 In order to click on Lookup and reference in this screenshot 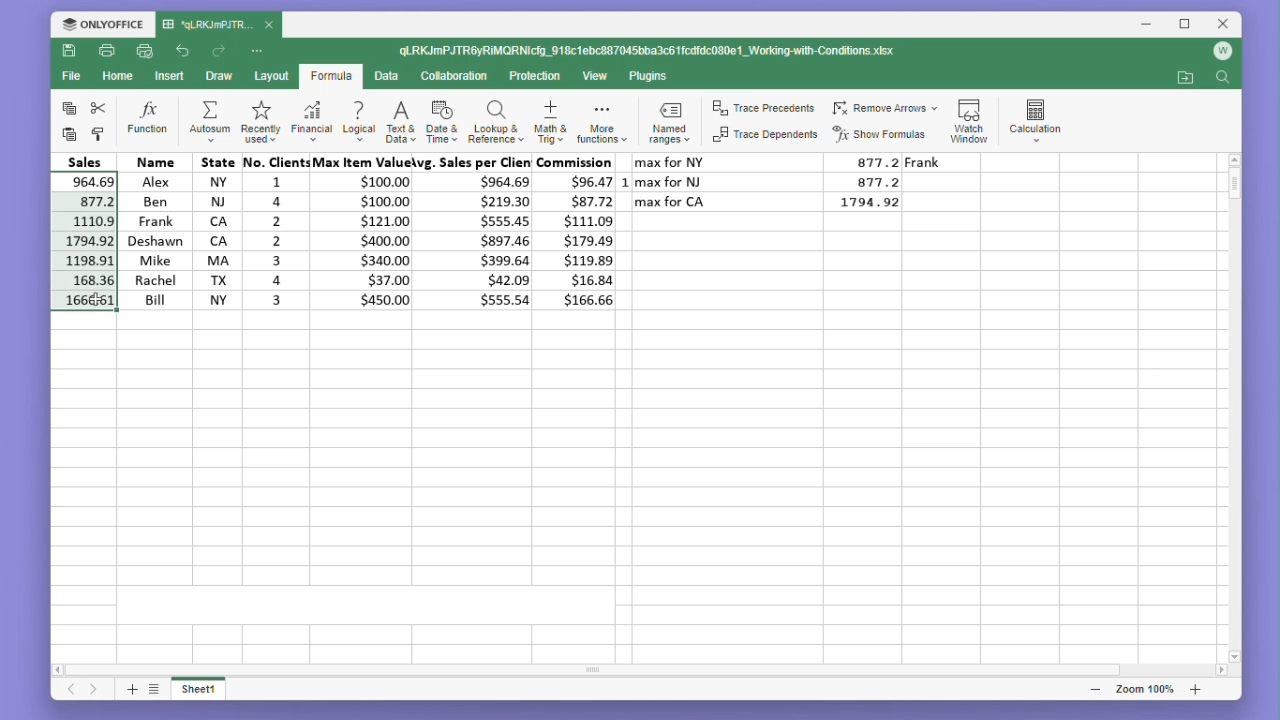, I will do `click(496, 120)`.